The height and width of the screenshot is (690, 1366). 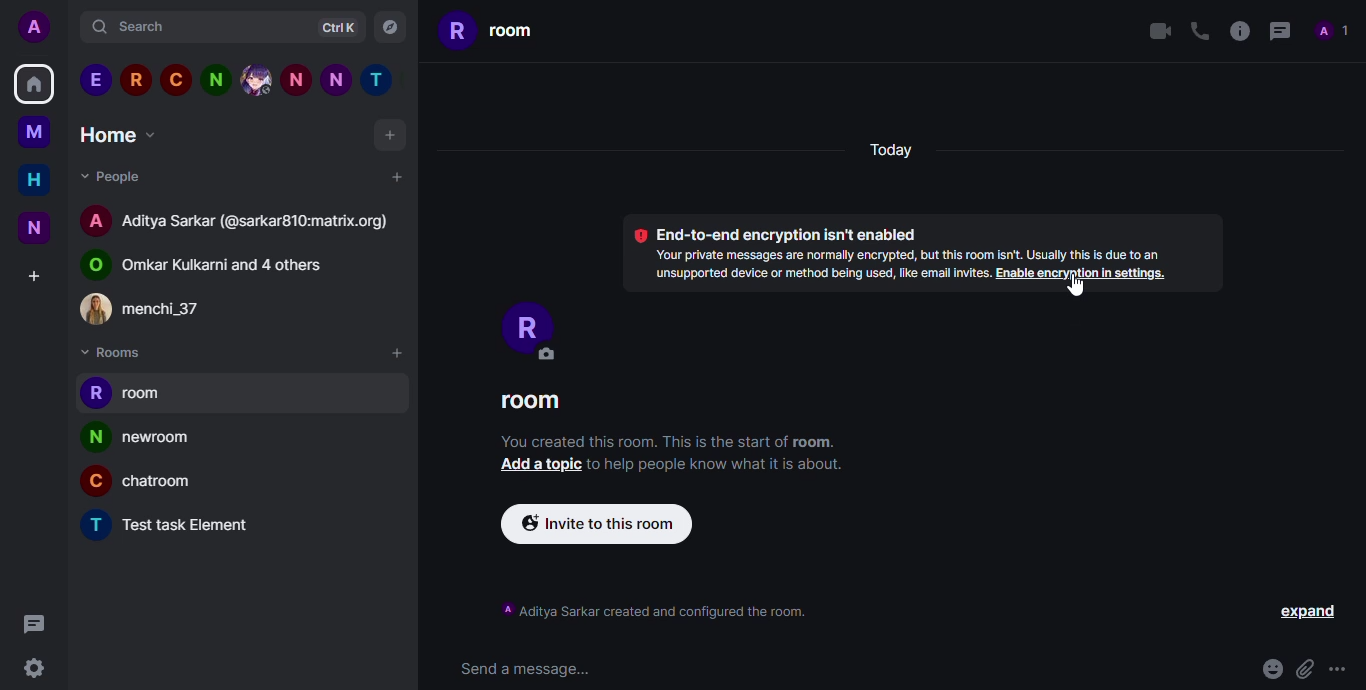 What do you see at coordinates (137, 79) in the screenshot?
I see `Contact shortcut` at bounding box center [137, 79].